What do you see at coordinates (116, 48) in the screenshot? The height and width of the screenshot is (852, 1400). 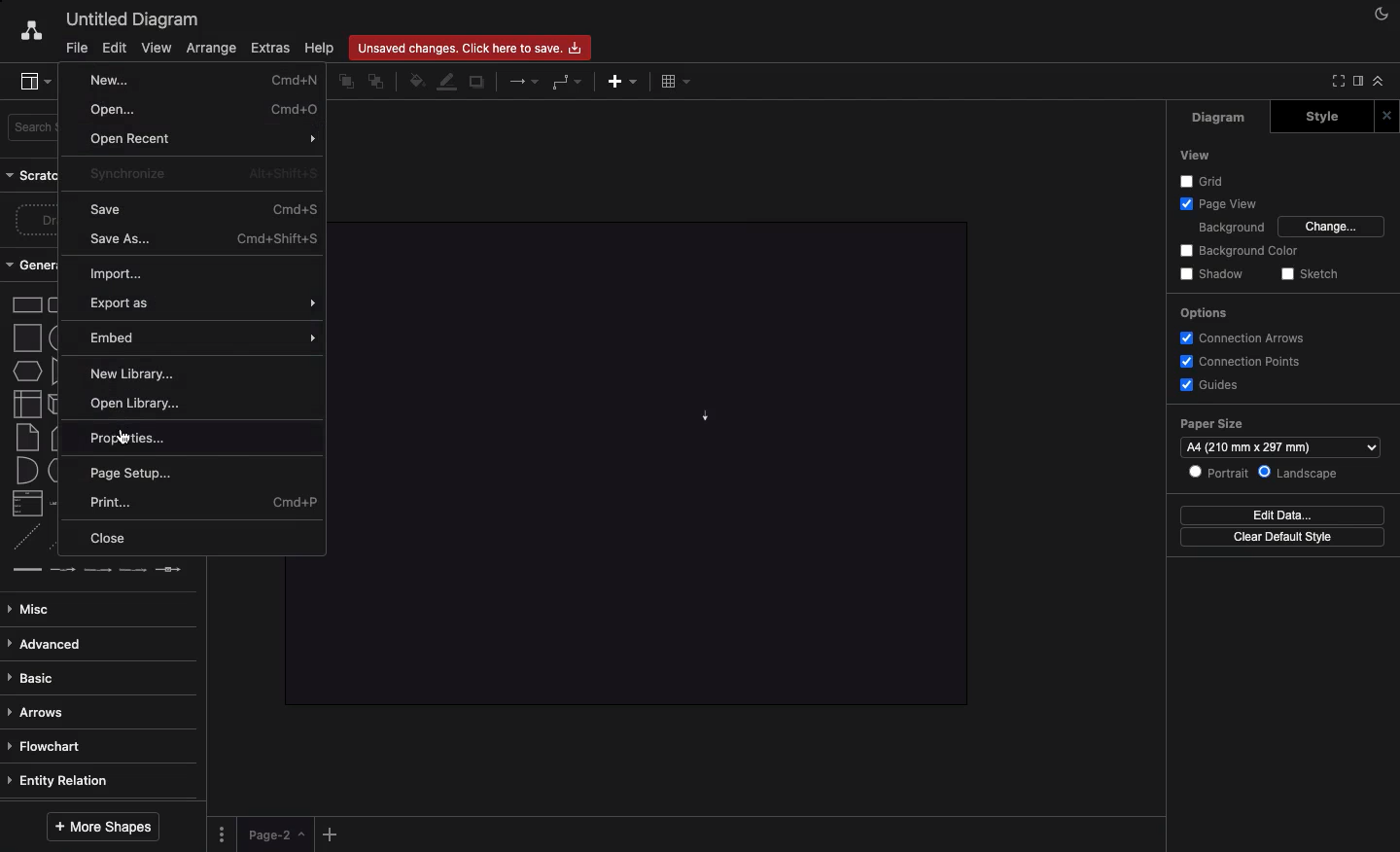 I see `Edit` at bounding box center [116, 48].